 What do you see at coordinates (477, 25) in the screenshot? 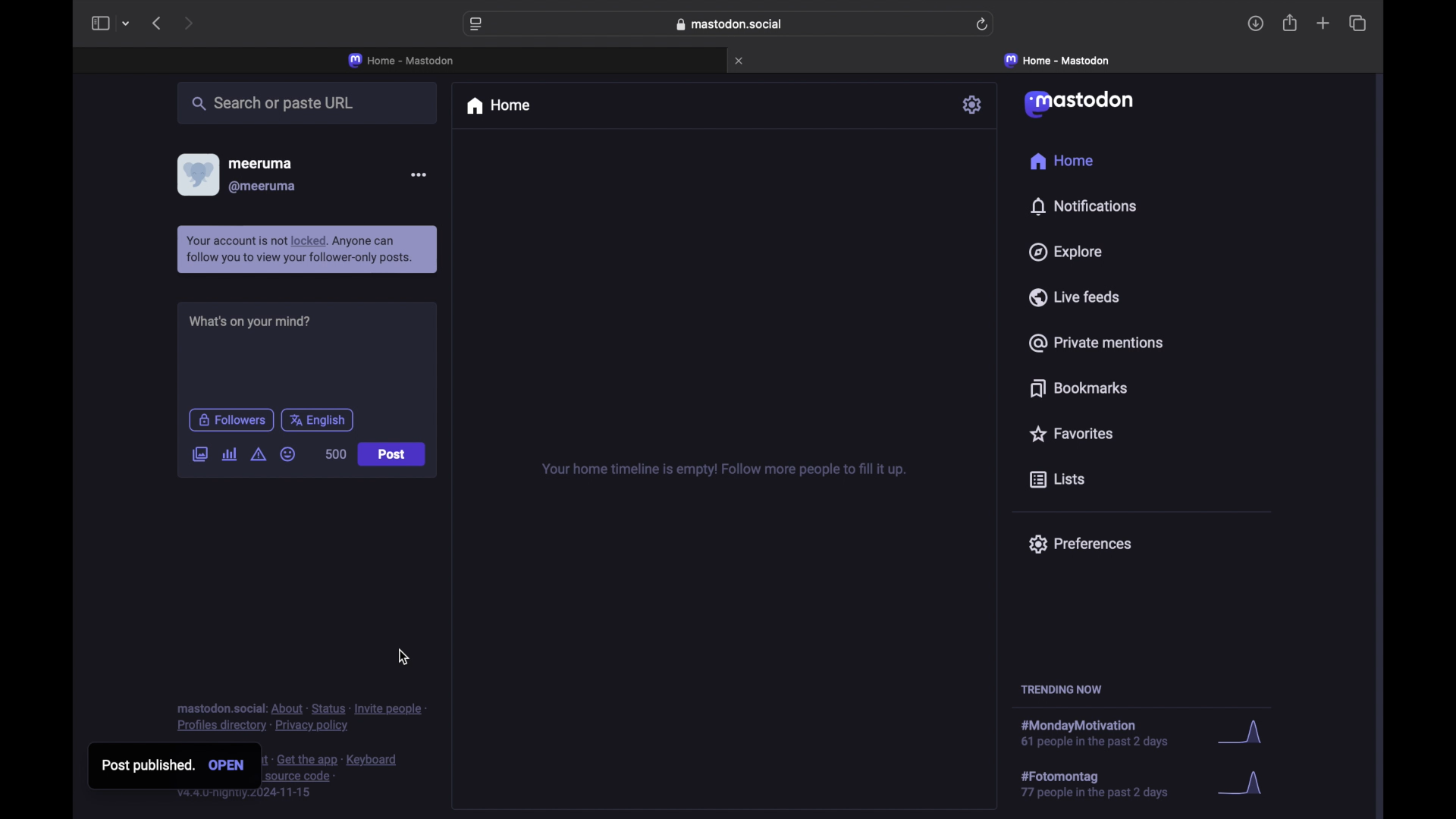
I see `website  settings` at bounding box center [477, 25].